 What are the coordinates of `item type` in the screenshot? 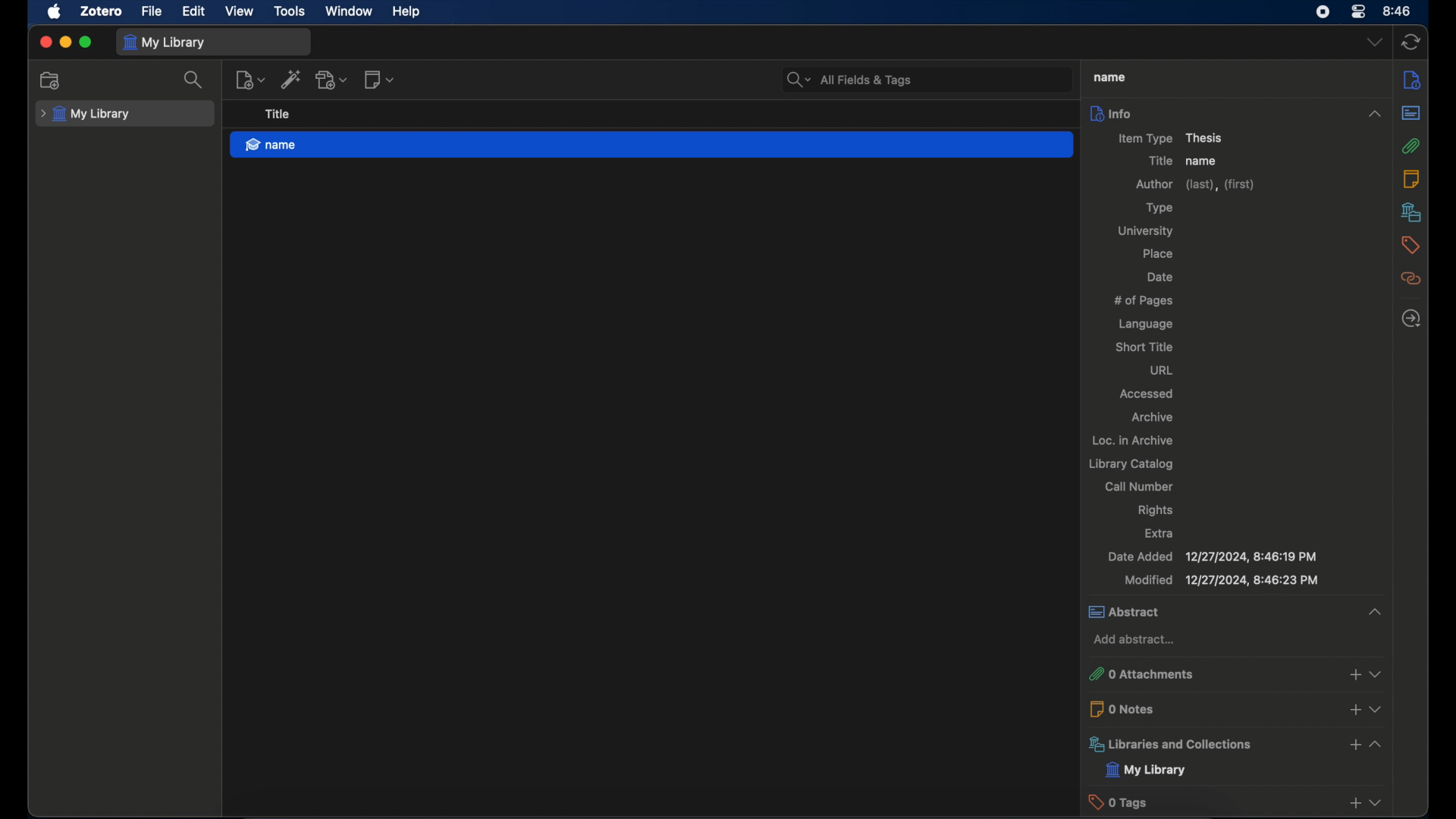 It's located at (1172, 138).